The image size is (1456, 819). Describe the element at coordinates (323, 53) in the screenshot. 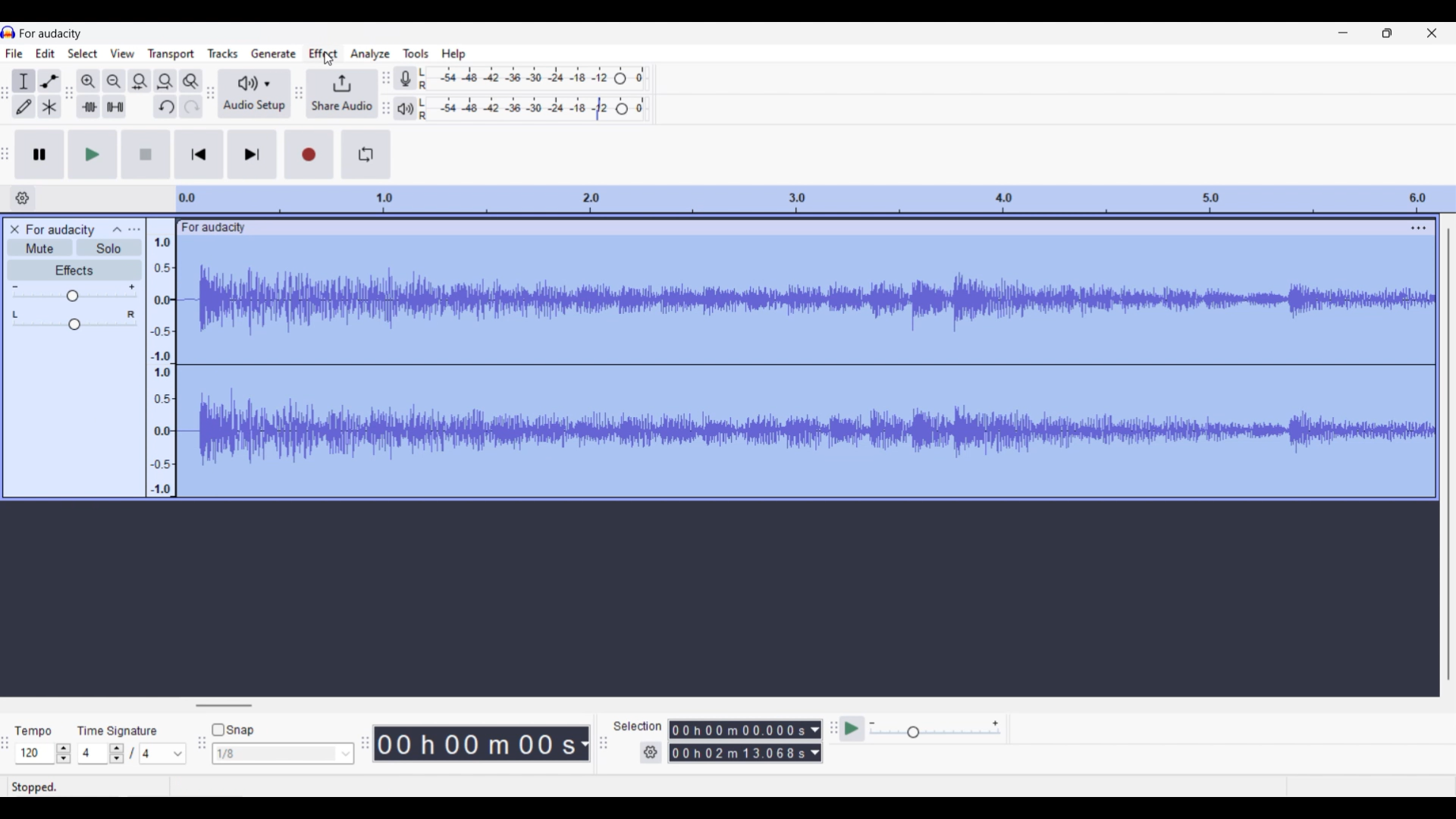

I see `Effect` at that location.